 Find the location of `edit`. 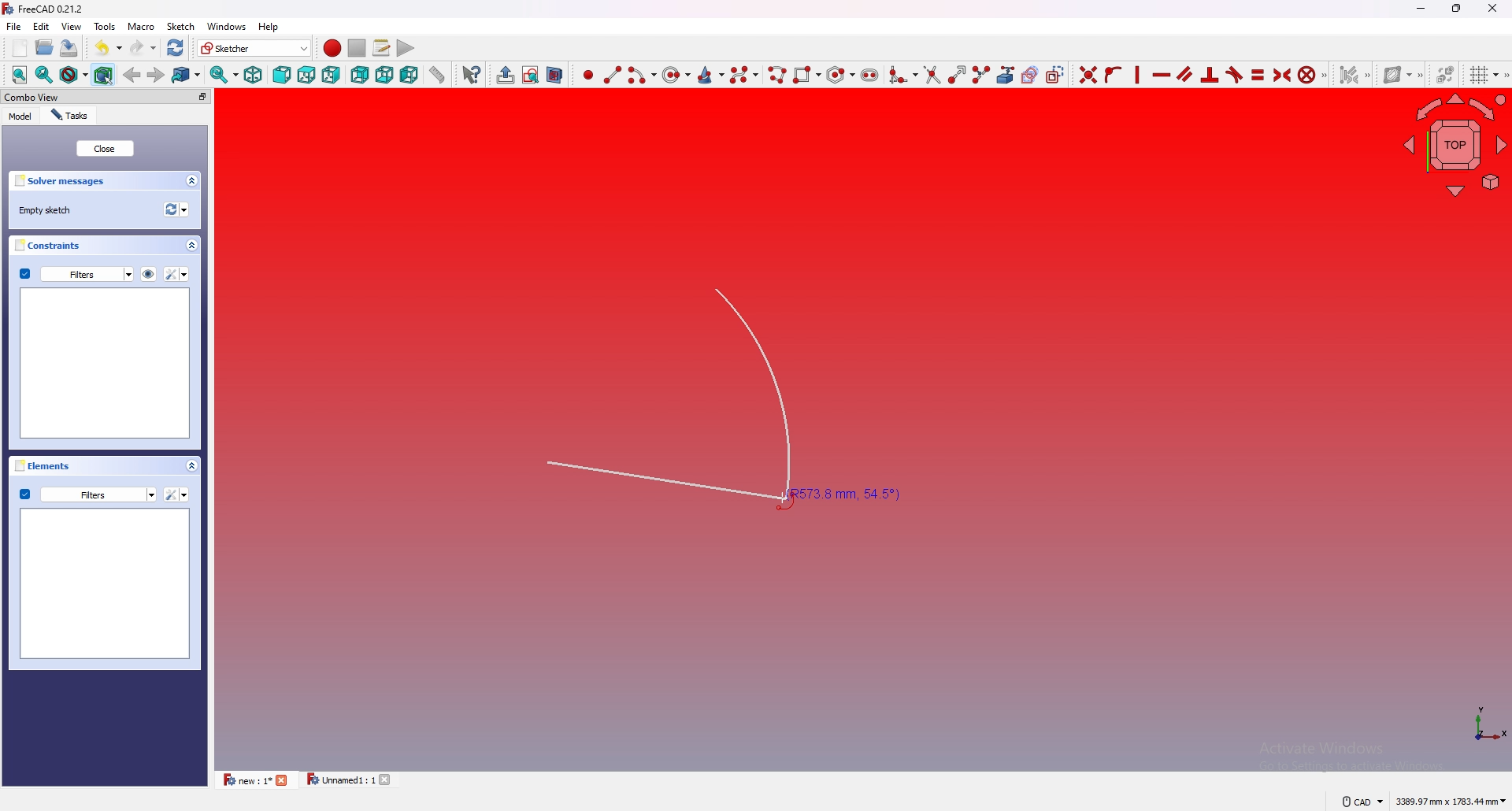

edit is located at coordinates (44, 26).